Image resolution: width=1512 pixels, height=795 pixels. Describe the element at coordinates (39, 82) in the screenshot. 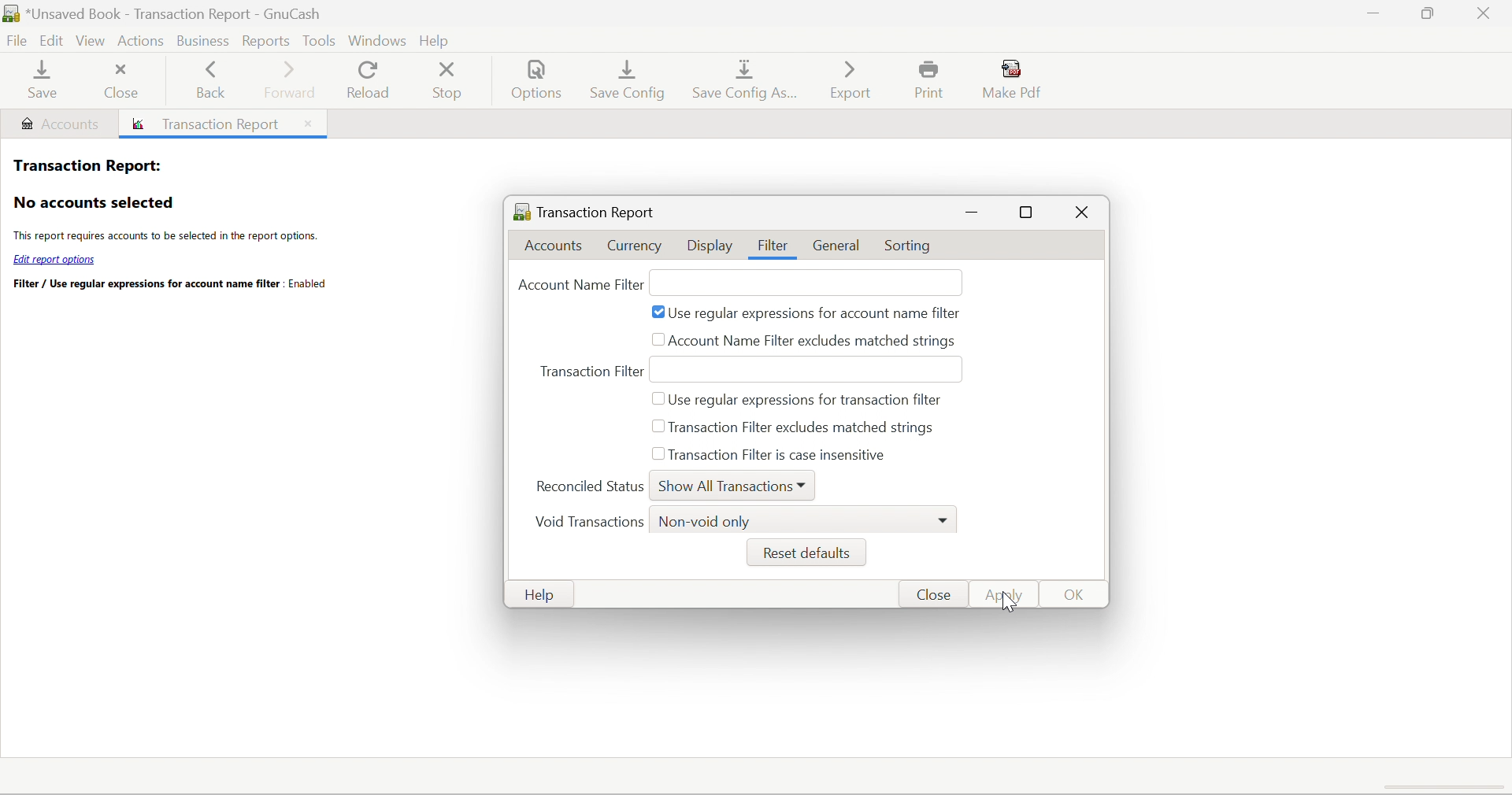

I see `Save` at that location.